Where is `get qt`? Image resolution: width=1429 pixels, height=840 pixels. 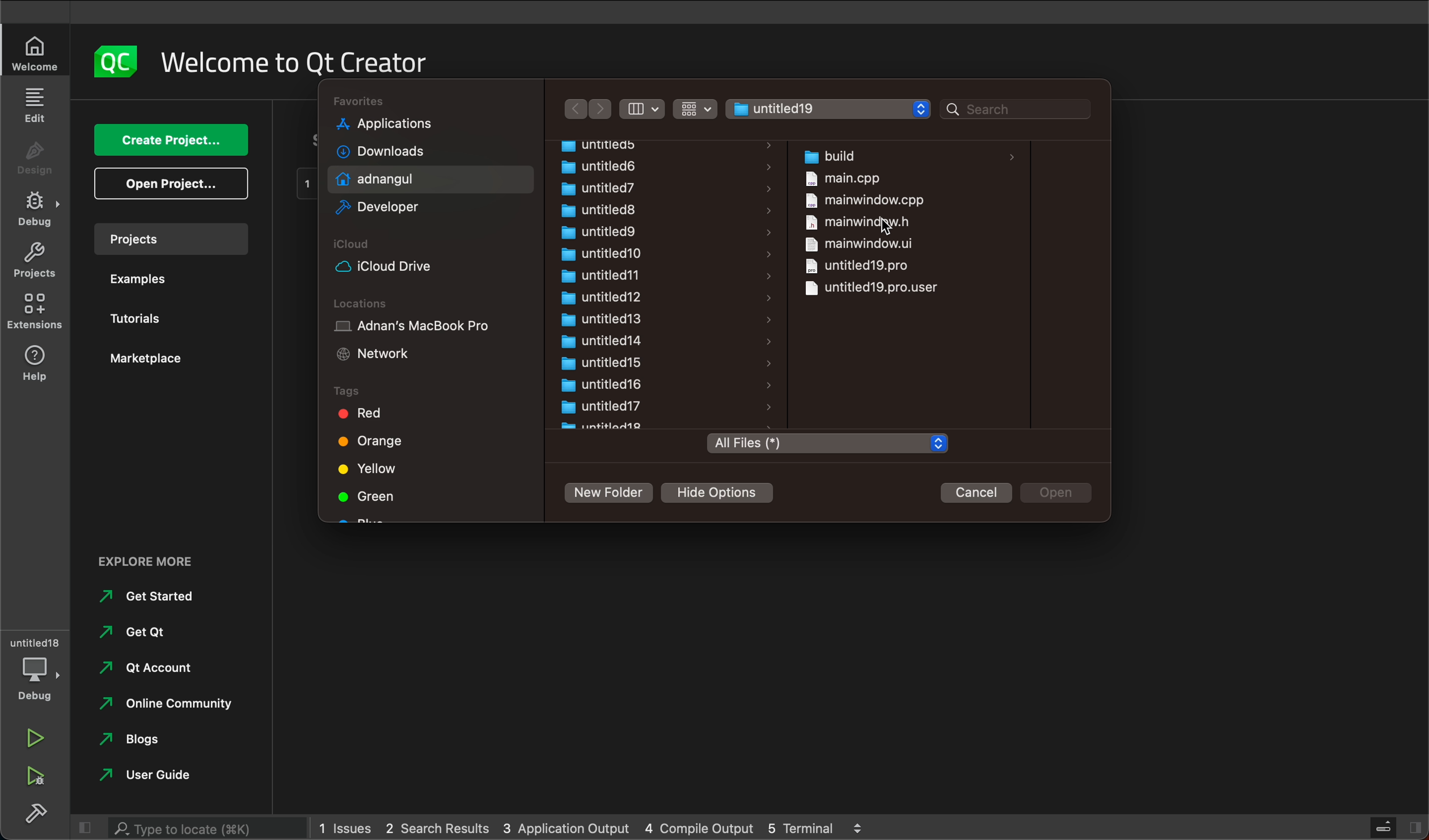 get qt is located at coordinates (135, 632).